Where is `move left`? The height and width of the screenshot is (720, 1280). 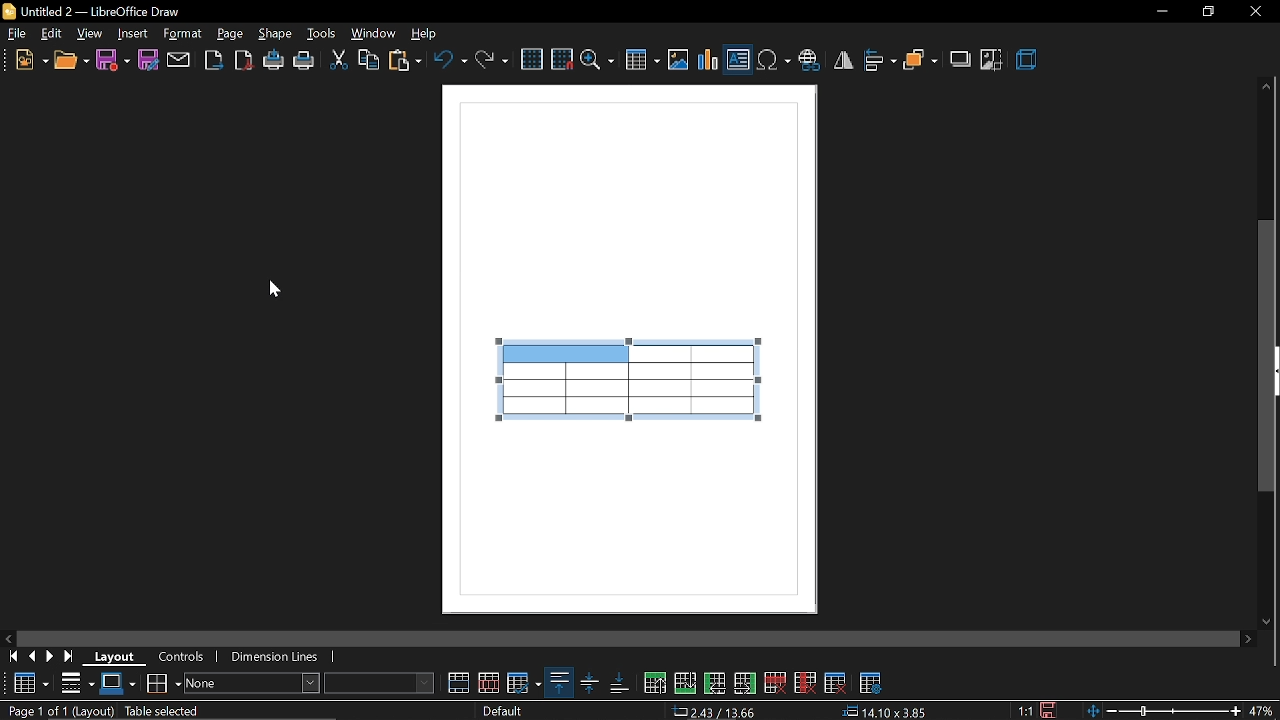
move left is located at coordinates (8, 637).